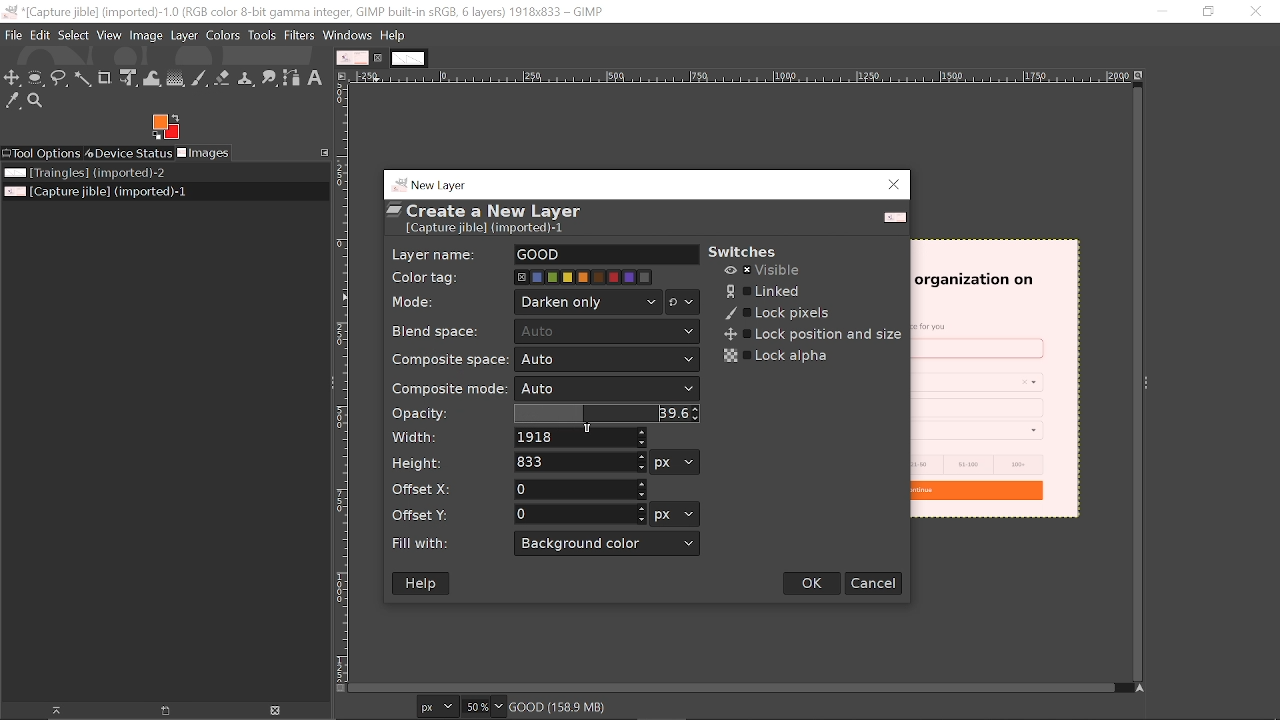 The height and width of the screenshot is (720, 1280). Describe the element at coordinates (606, 255) in the screenshot. I see `layer name` at that location.